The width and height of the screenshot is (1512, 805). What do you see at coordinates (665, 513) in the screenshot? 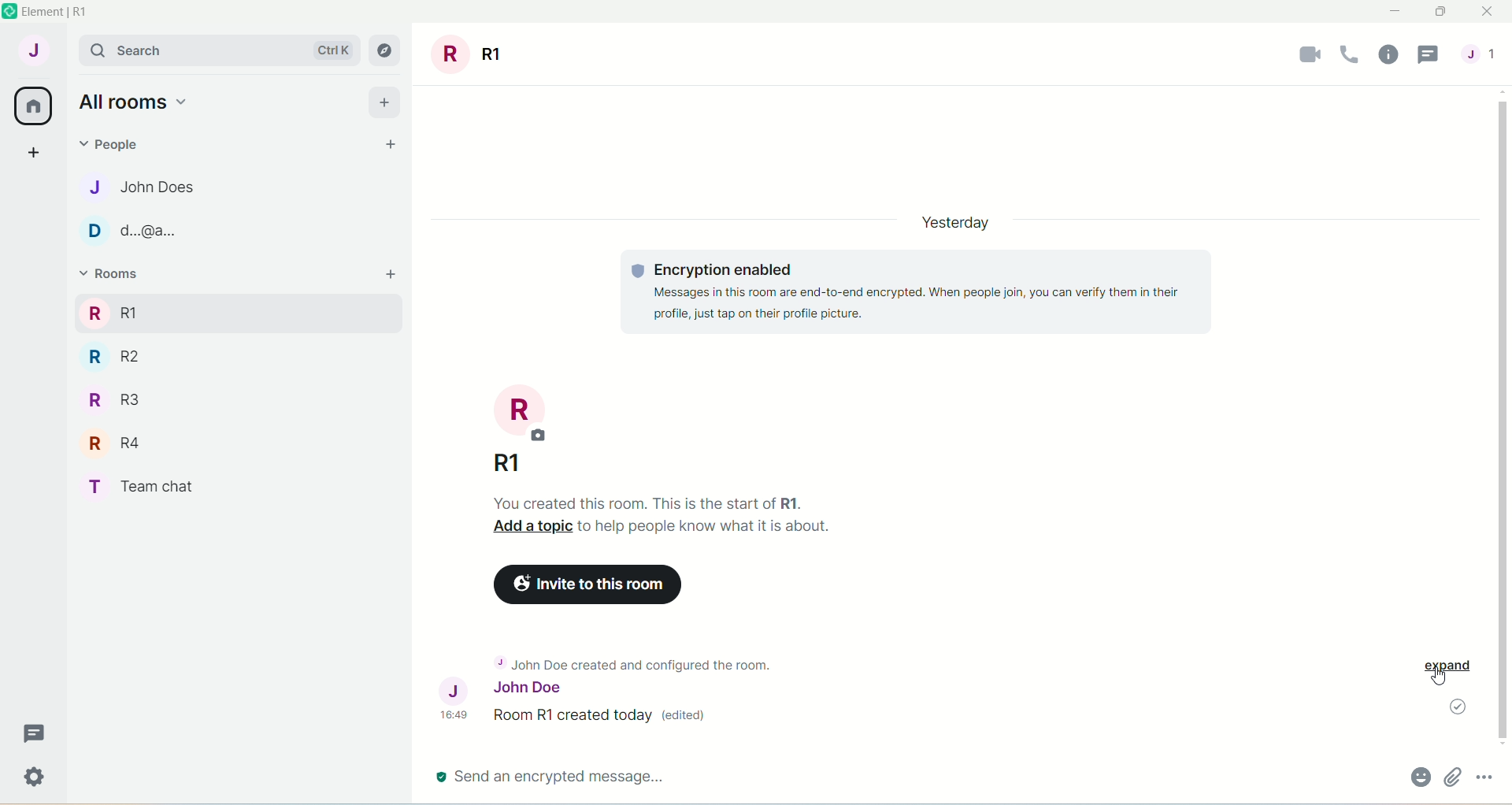
I see `You created this room. This is the start of R1.
Add a topic to help people know what it is about.` at bounding box center [665, 513].